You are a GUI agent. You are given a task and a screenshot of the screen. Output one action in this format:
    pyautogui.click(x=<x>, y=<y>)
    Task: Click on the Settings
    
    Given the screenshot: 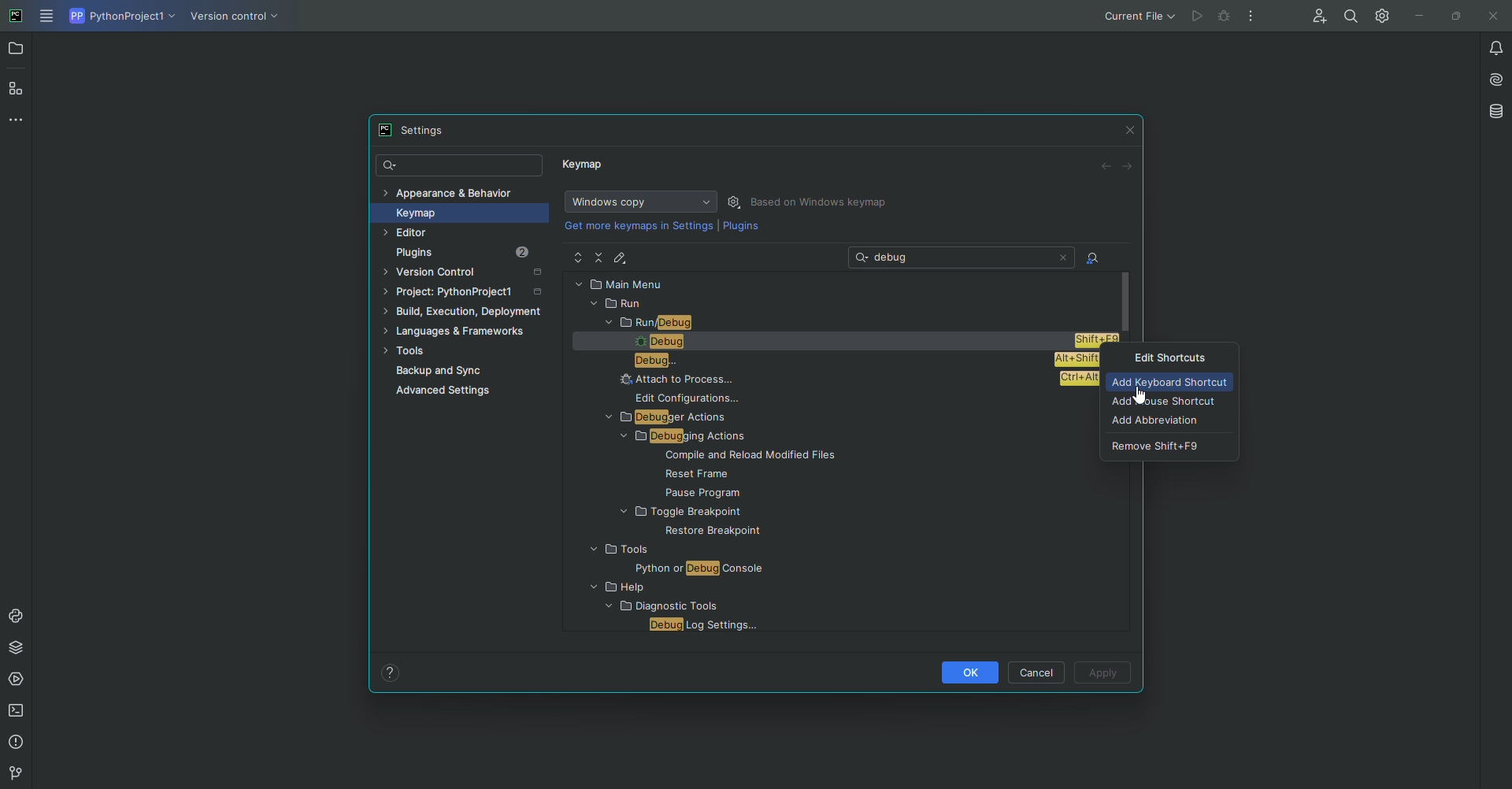 What is the action you would take?
    pyautogui.click(x=736, y=202)
    